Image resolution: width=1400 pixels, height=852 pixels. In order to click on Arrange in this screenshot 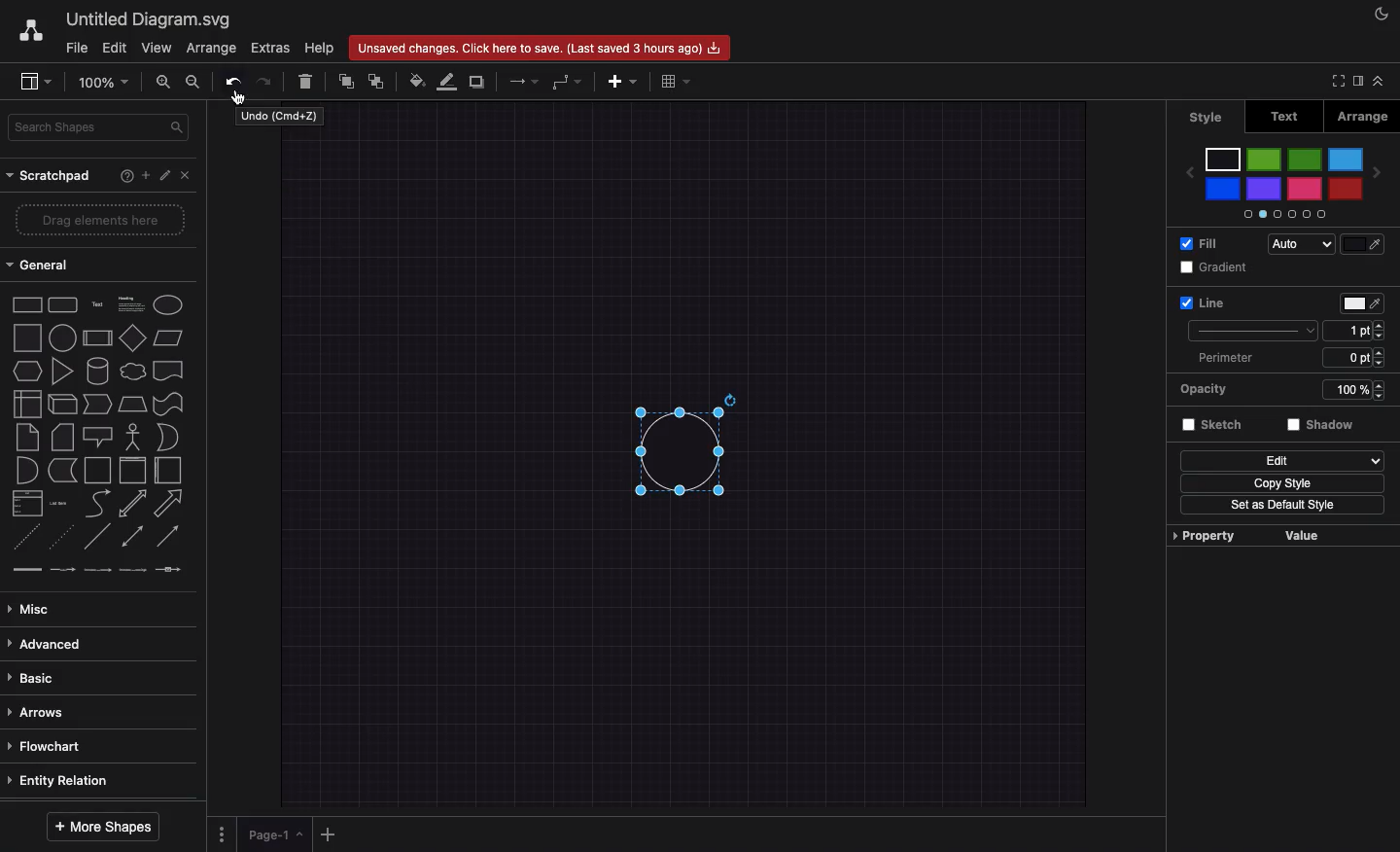, I will do `click(212, 49)`.